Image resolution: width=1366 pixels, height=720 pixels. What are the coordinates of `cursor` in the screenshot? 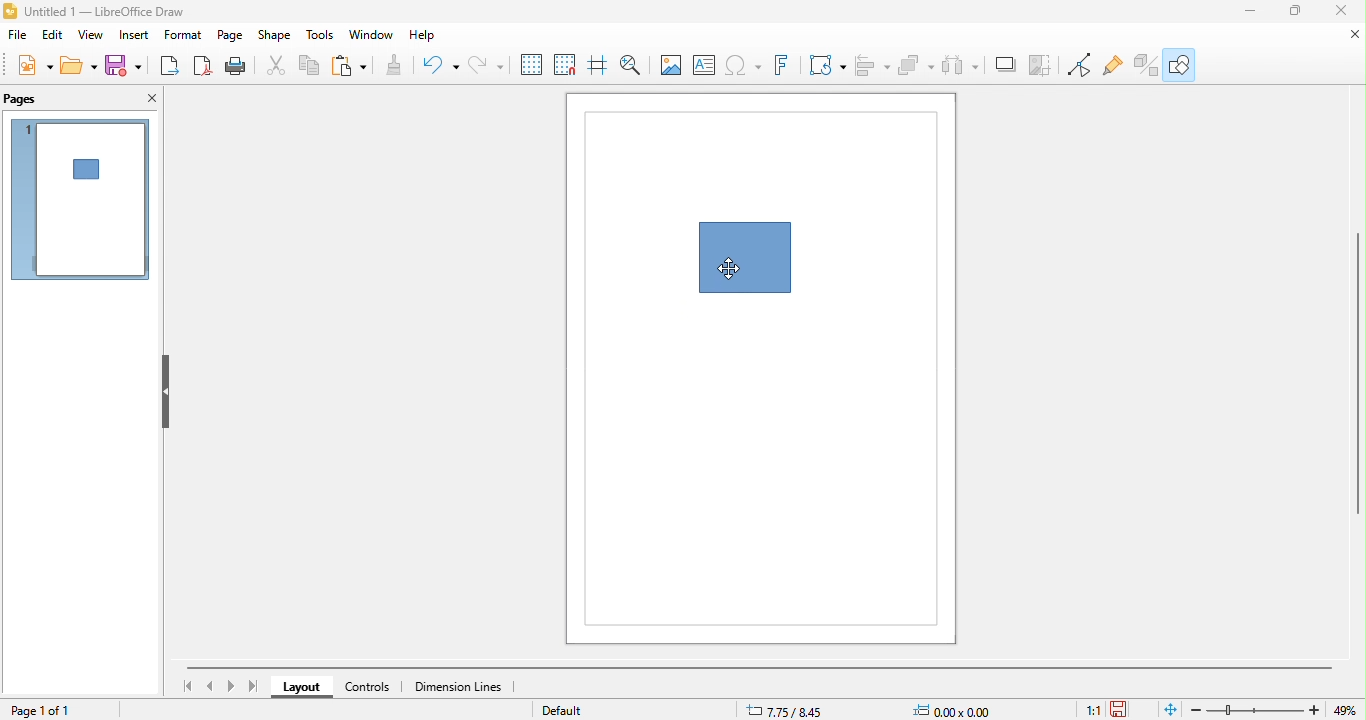 It's located at (729, 268).